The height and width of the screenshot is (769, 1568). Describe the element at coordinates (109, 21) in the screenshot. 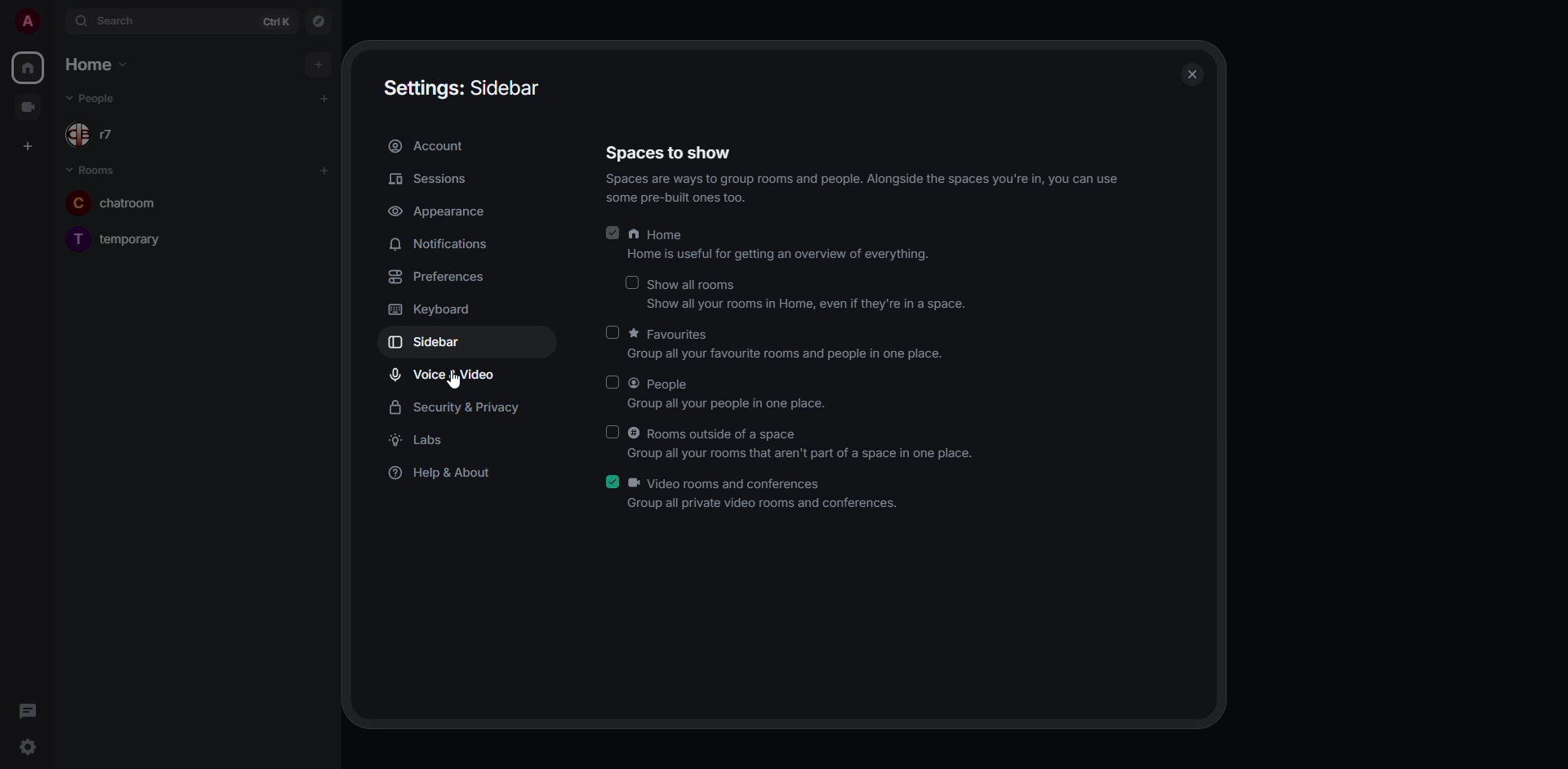

I see `search` at that location.